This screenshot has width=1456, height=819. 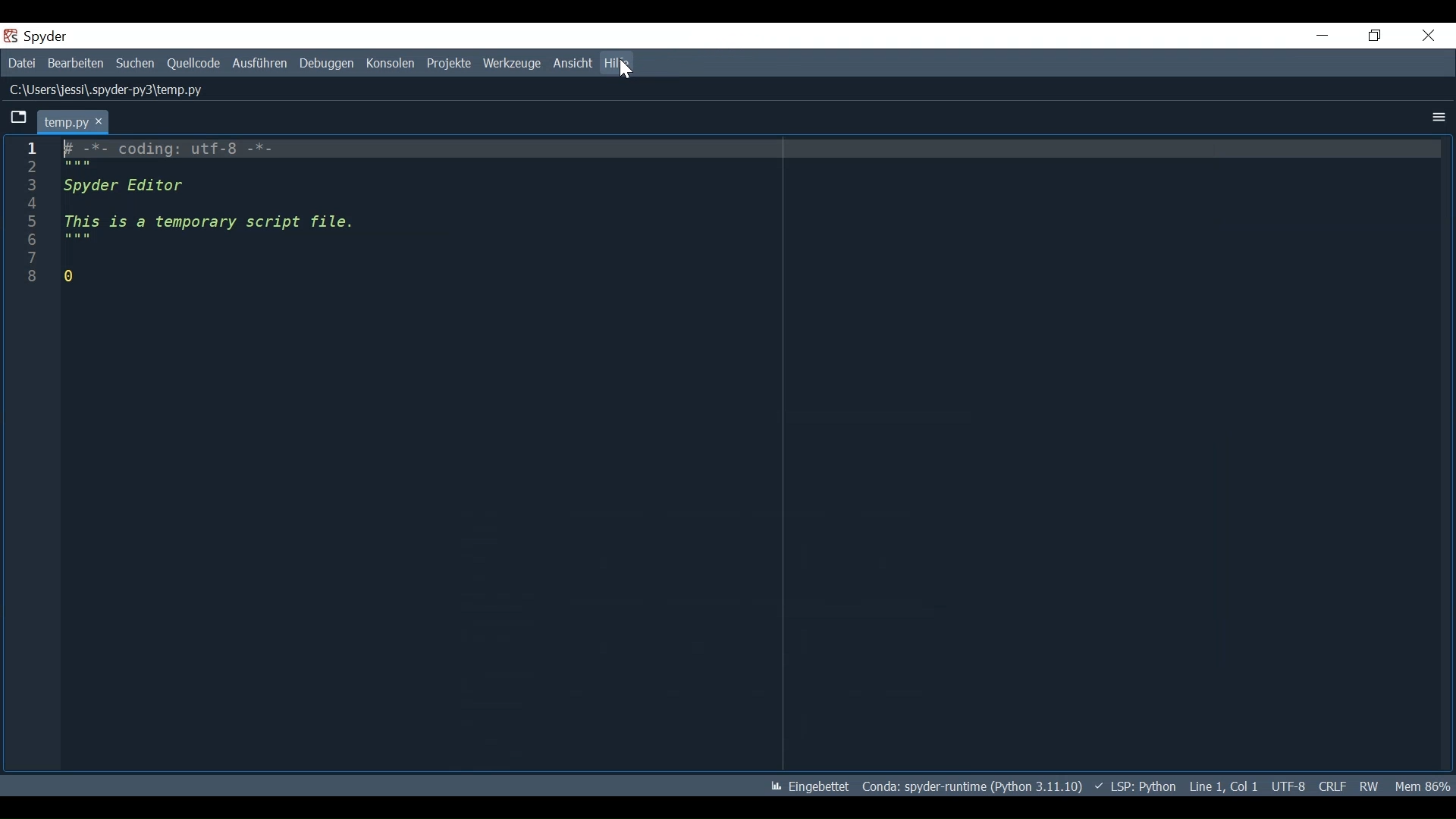 I want to click on File EQL Status, so click(x=1333, y=786).